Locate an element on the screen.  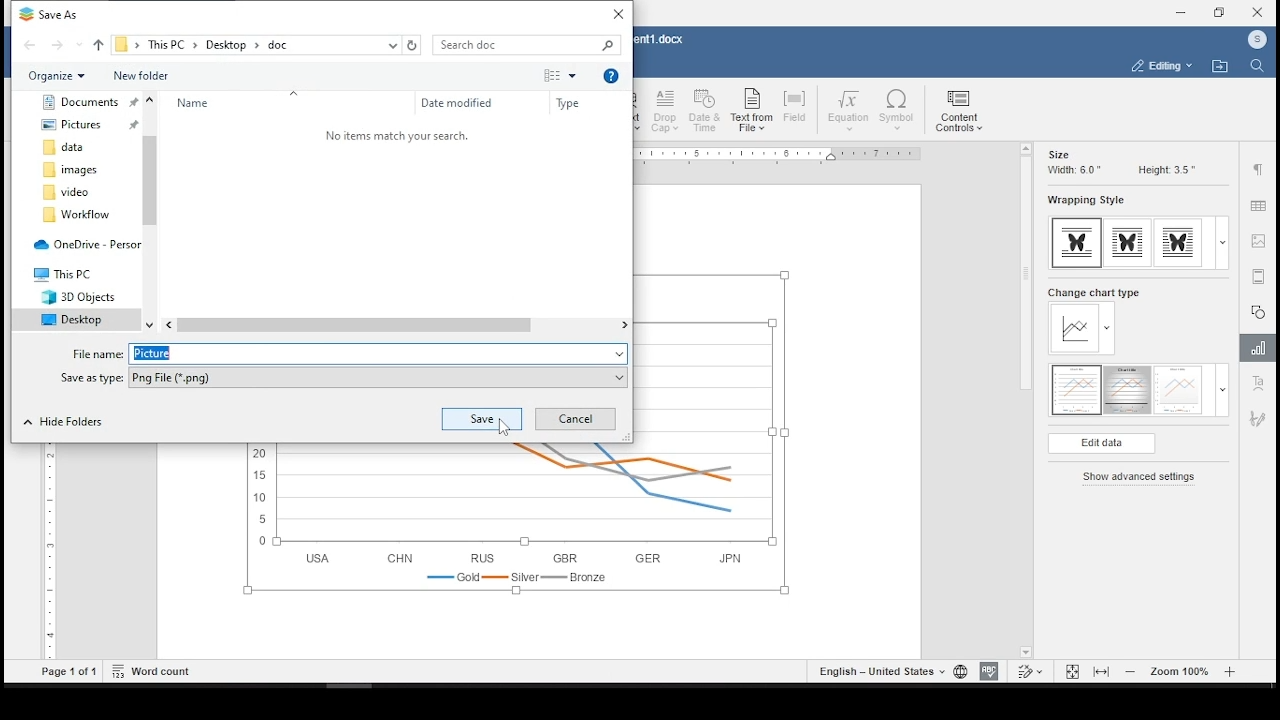
save as is located at coordinates (50, 14).